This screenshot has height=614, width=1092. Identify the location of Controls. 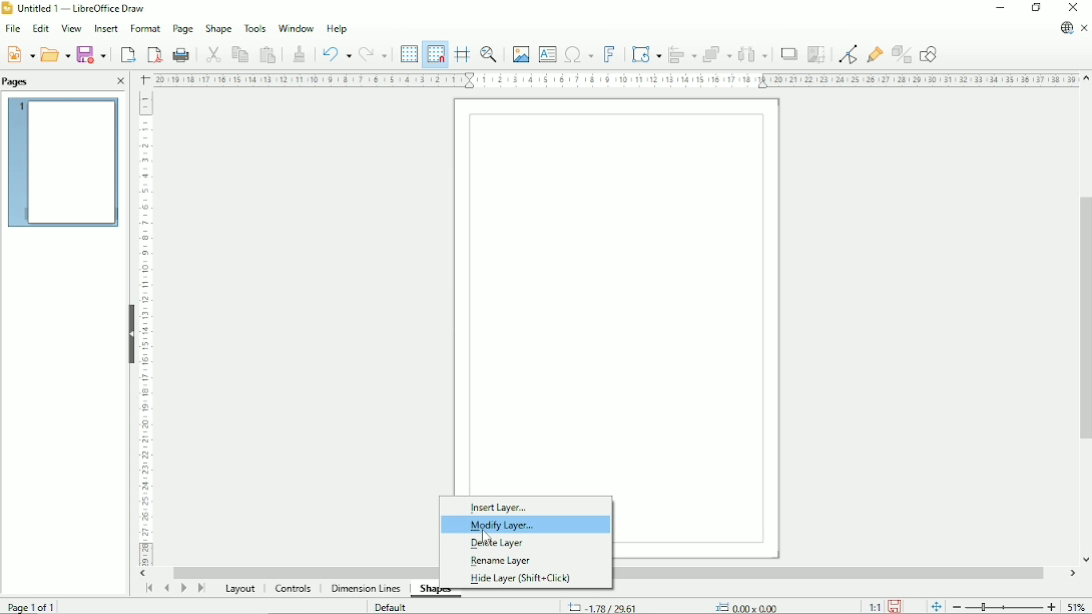
(296, 590).